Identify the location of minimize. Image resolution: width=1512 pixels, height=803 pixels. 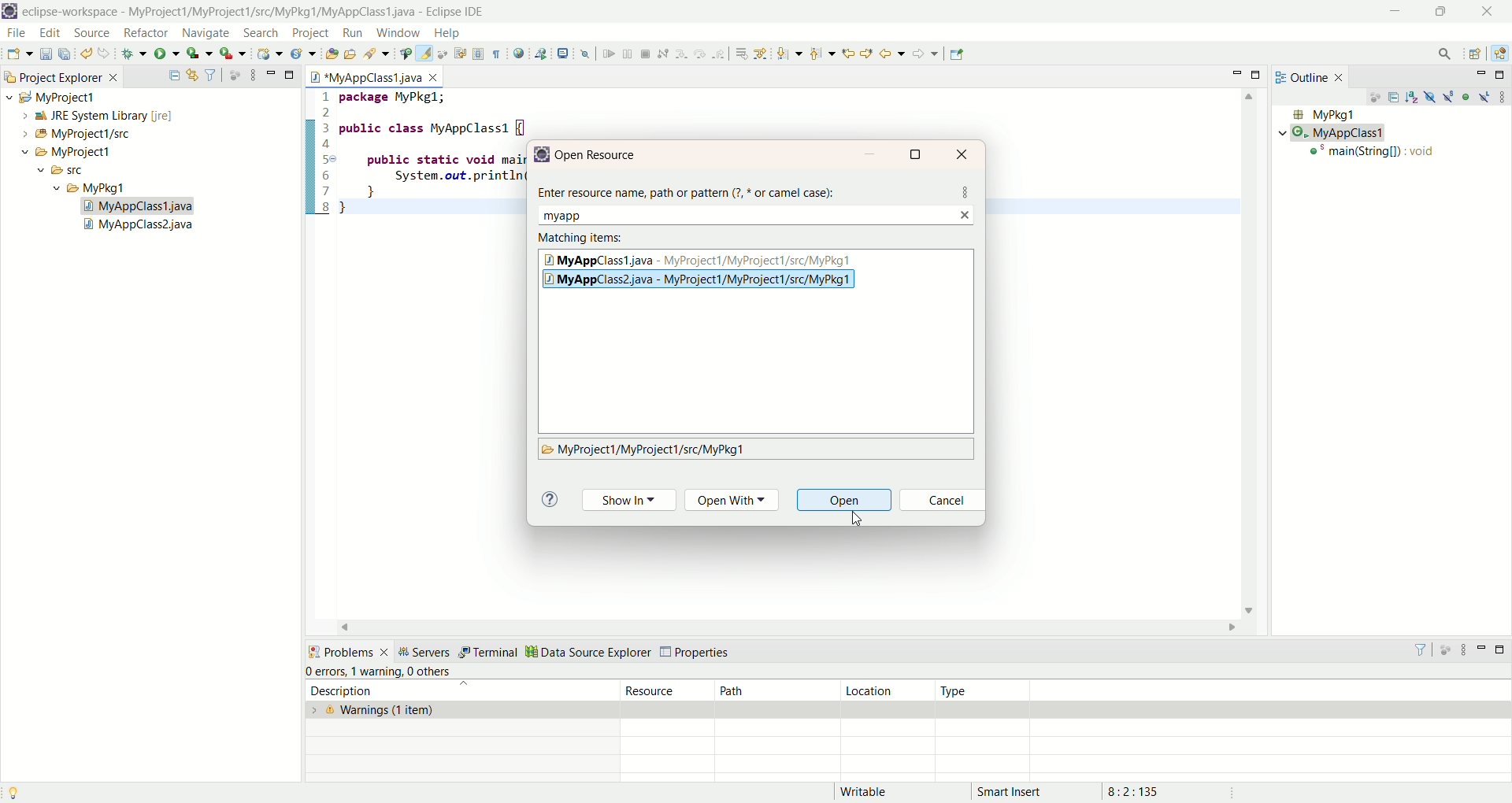
(1480, 653).